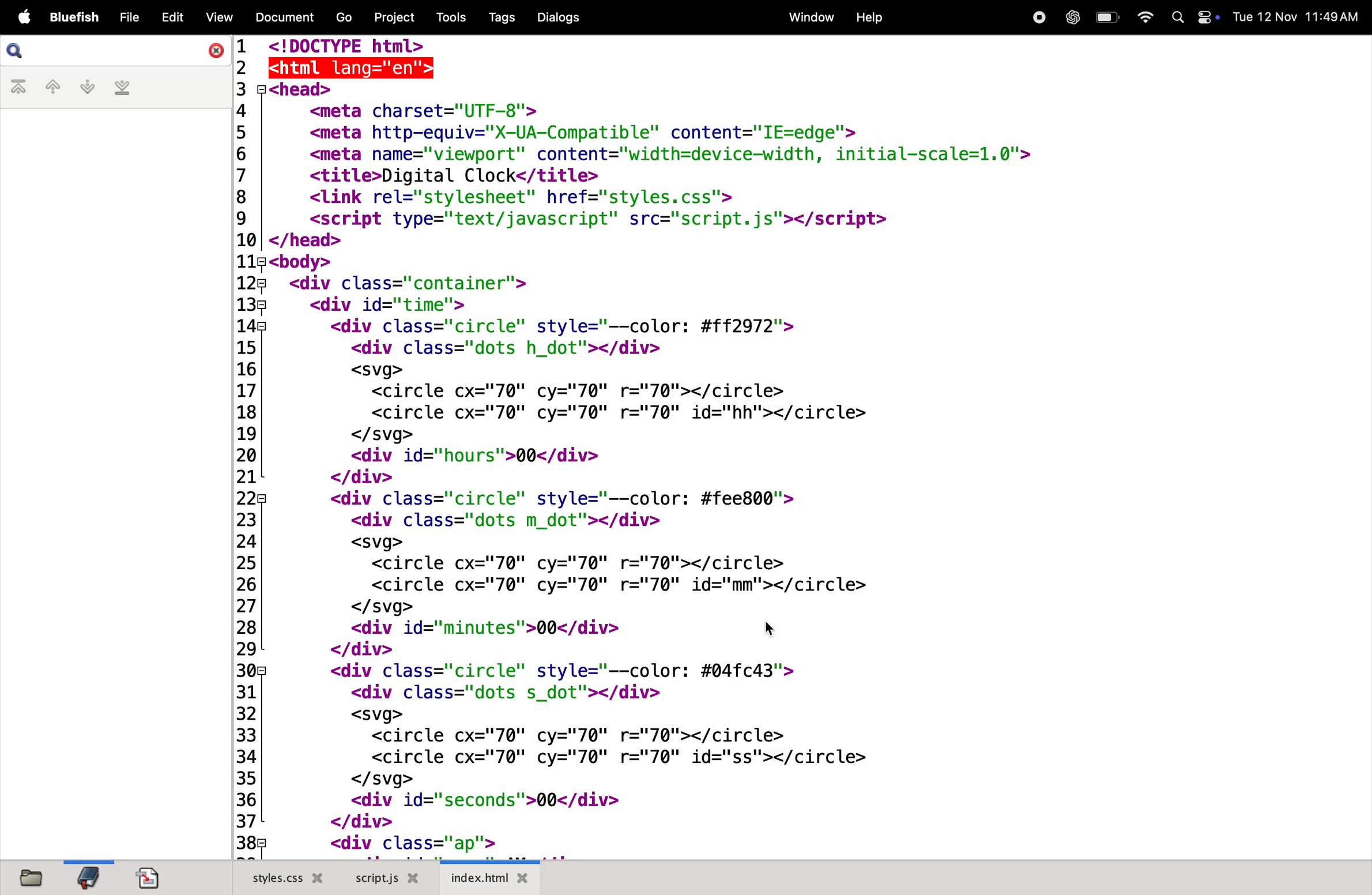  I want to click on bluefish menu, so click(74, 18).